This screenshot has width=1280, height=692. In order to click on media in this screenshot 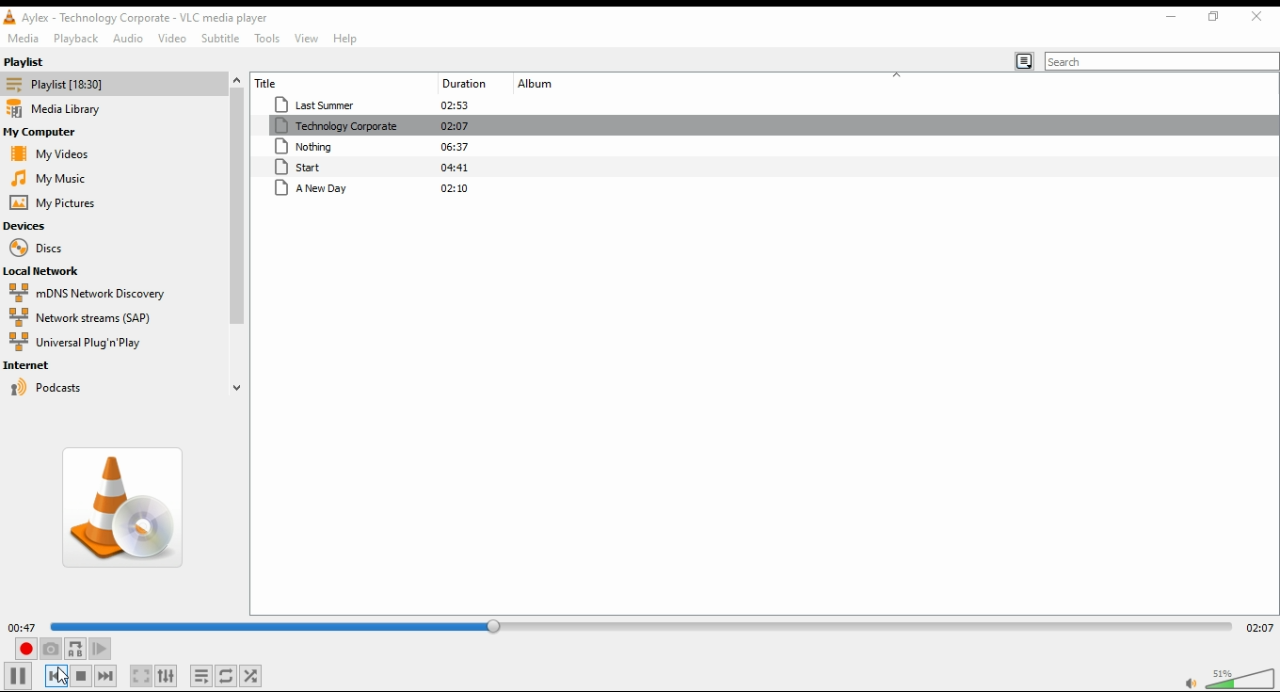, I will do `click(22, 37)`.